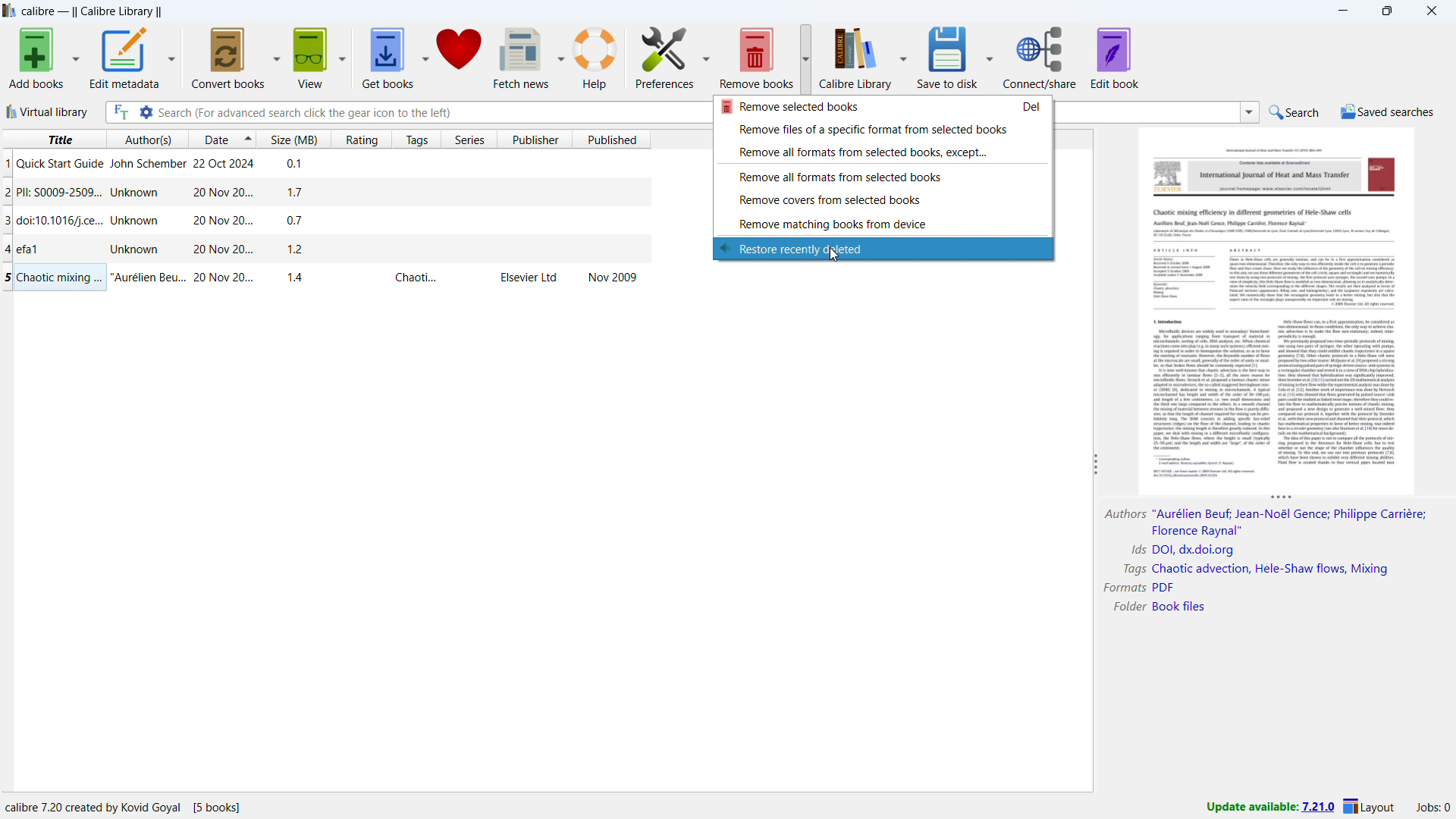 This screenshot has height=819, width=1456. I want to click on get books options, so click(424, 57).